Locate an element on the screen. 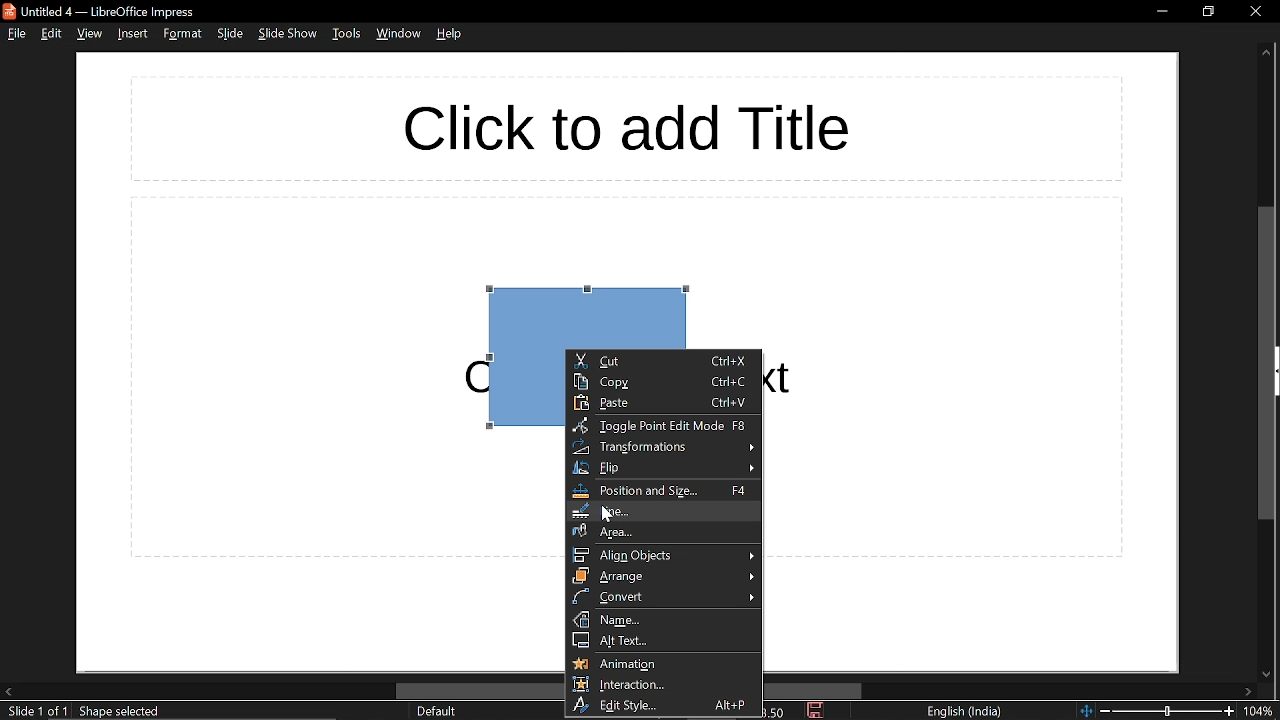 The width and height of the screenshot is (1280, 720). move left is located at coordinates (8, 690).